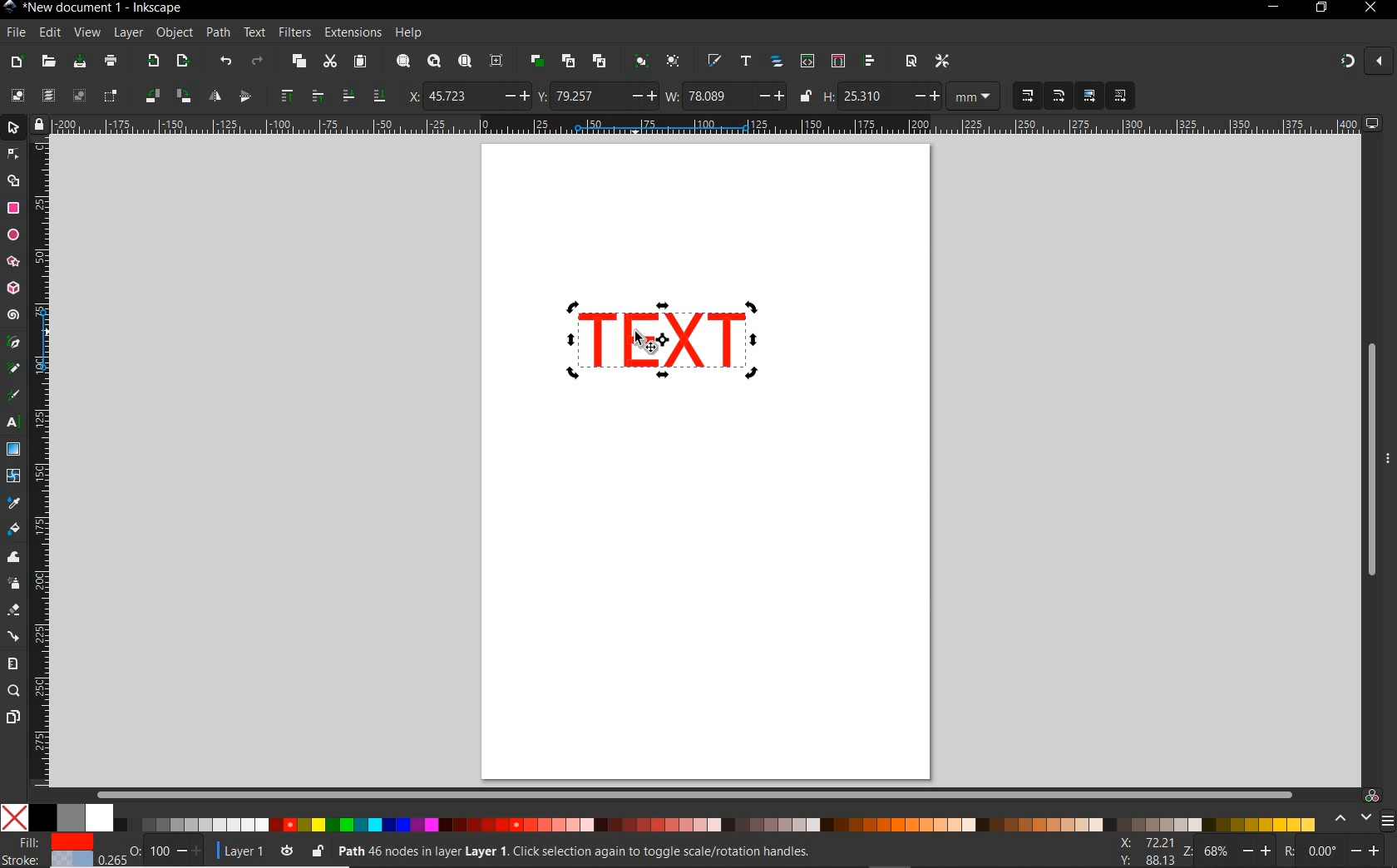 The image size is (1397, 868). What do you see at coordinates (1142, 852) in the screenshot?
I see `CURSOR COORDINATES` at bounding box center [1142, 852].